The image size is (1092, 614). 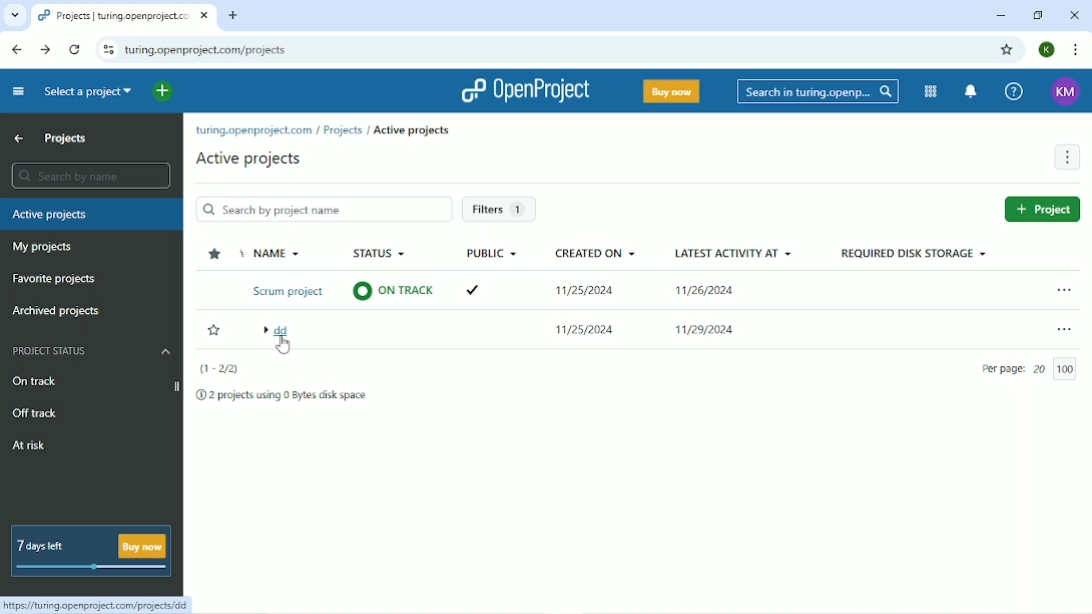 I want to click on Off track, so click(x=40, y=414).